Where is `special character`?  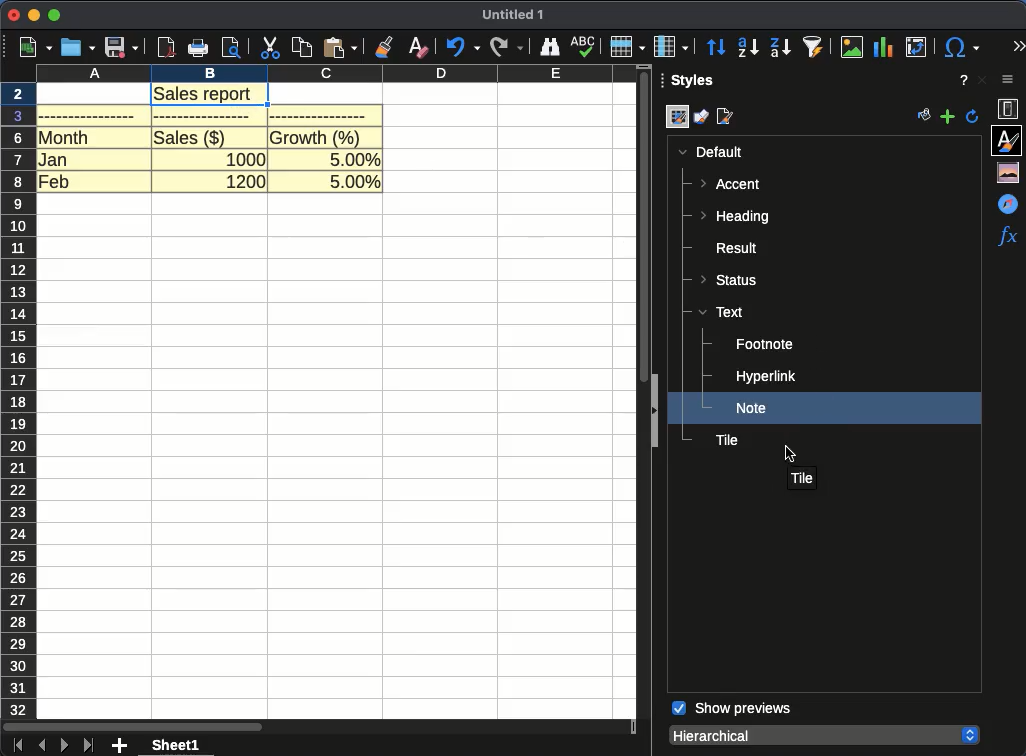
special character is located at coordinates (959, 47).